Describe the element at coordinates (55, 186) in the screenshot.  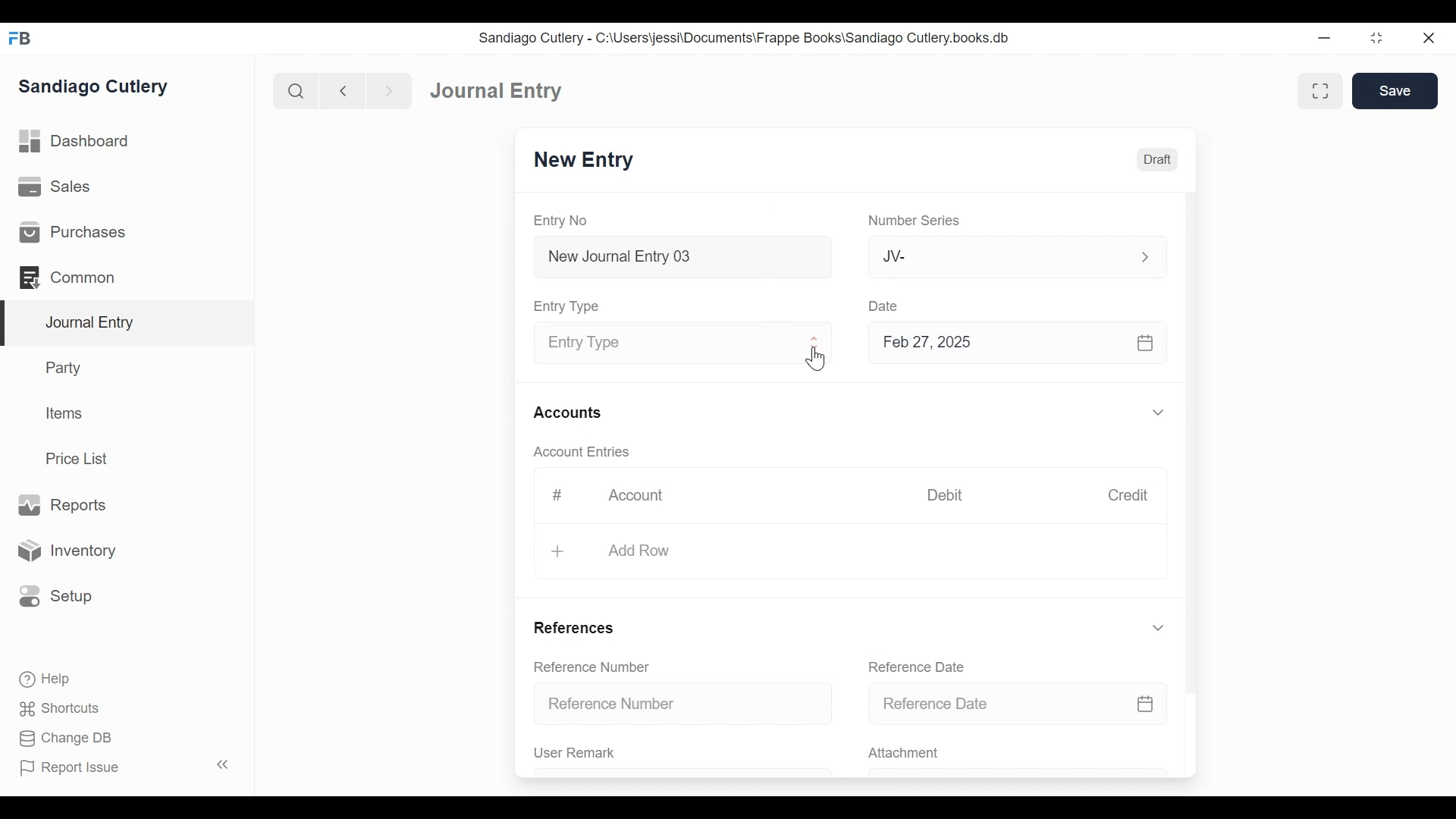
I see `Sales` at that location.